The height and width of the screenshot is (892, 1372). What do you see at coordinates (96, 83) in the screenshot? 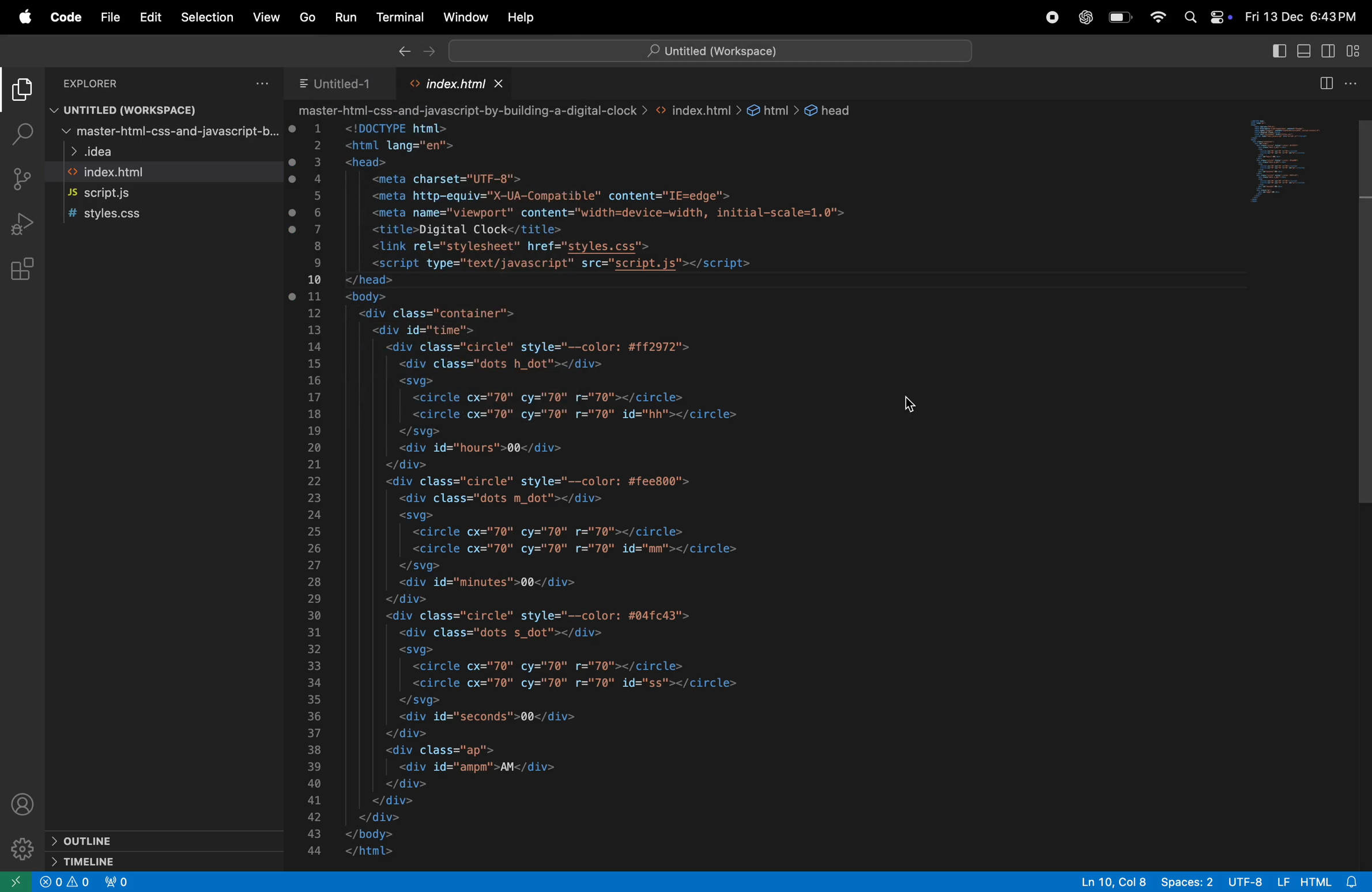
I see `Explorer` at bounding box center [96, 83].